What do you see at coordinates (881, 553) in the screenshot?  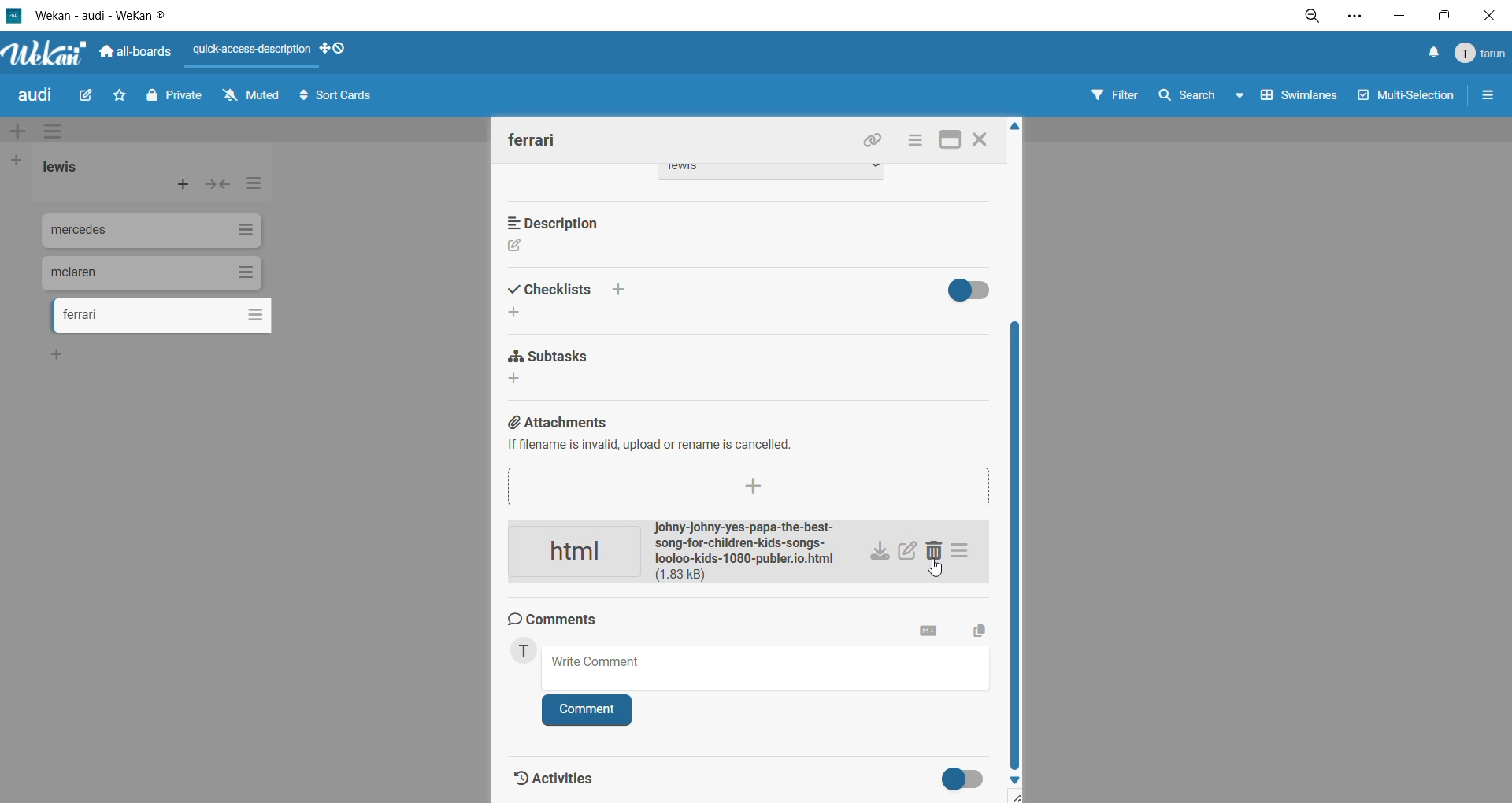 I see `download` at bounding box center [881, 553].